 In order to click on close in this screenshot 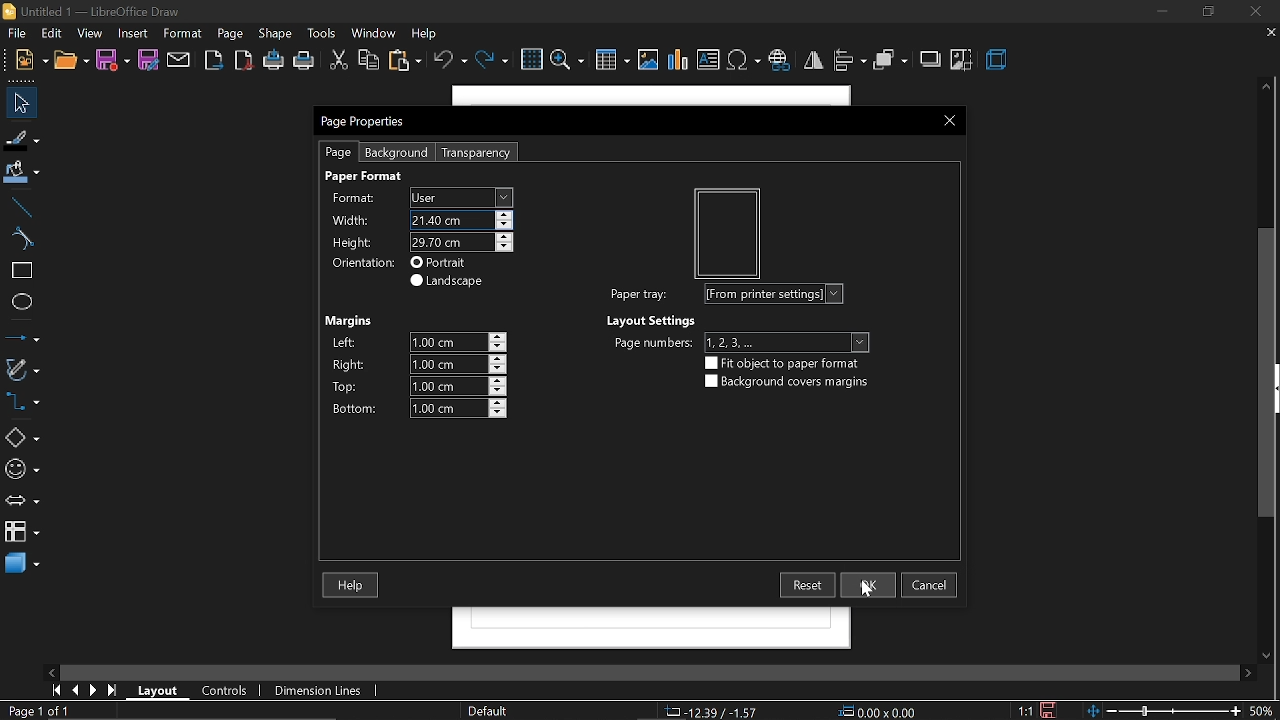, I will do `click(943, 121)`.